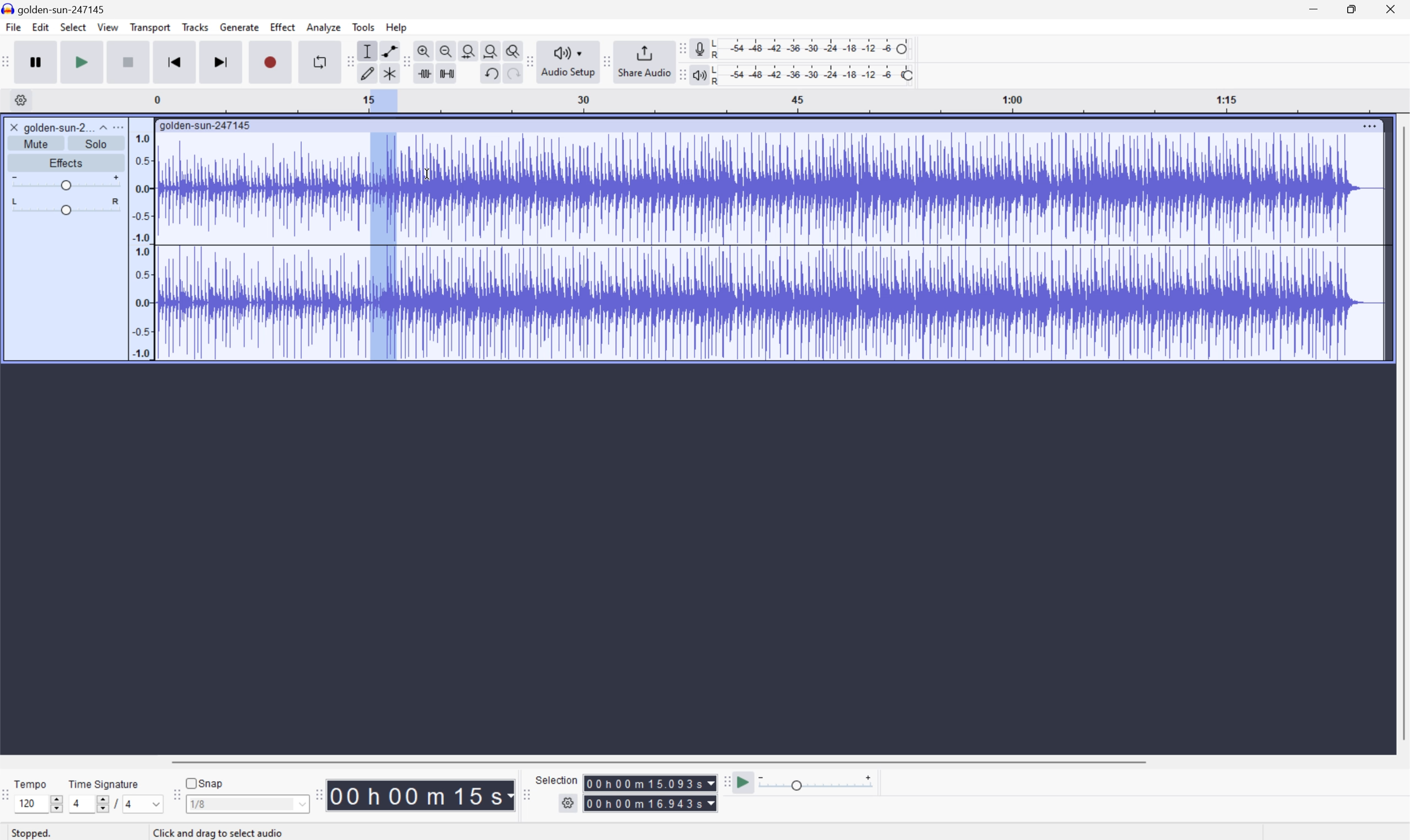  Describe the element at coordinates (195, 27) in the screenshot. I see `Tracks` at that location.